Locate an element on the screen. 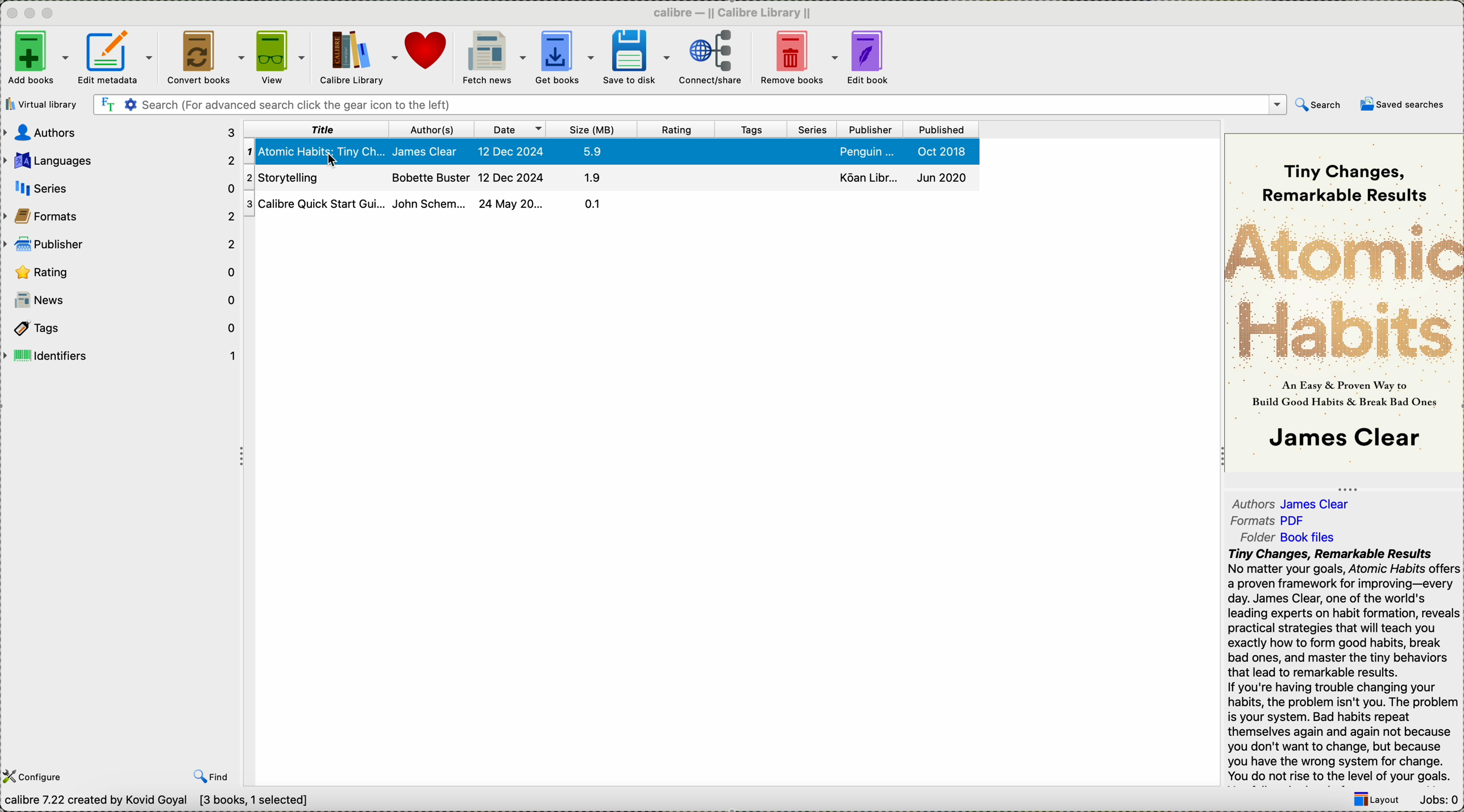  add books is located at coordinates (36, 59).